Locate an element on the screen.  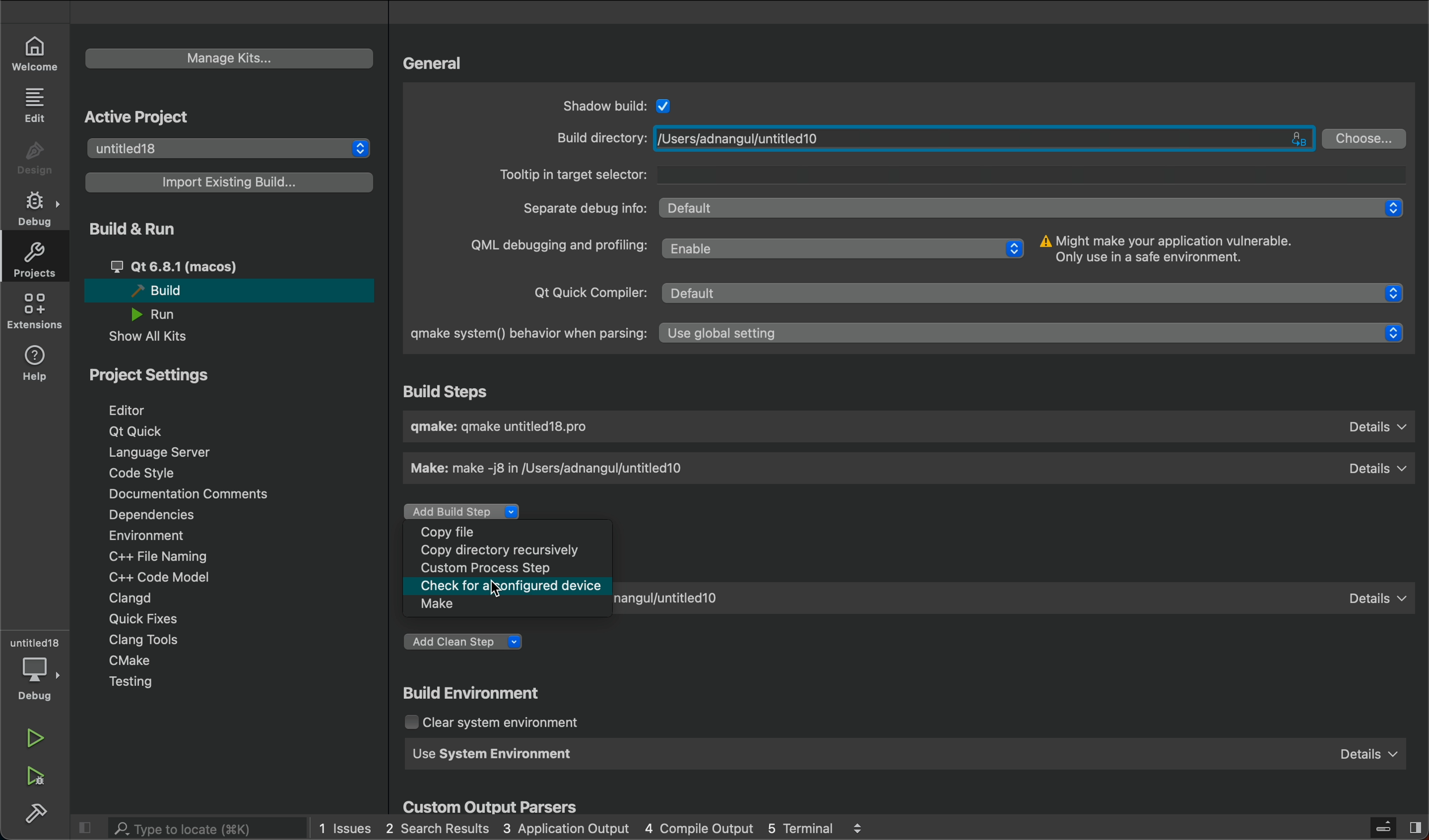
project settings is located at coordinates (147, 375).